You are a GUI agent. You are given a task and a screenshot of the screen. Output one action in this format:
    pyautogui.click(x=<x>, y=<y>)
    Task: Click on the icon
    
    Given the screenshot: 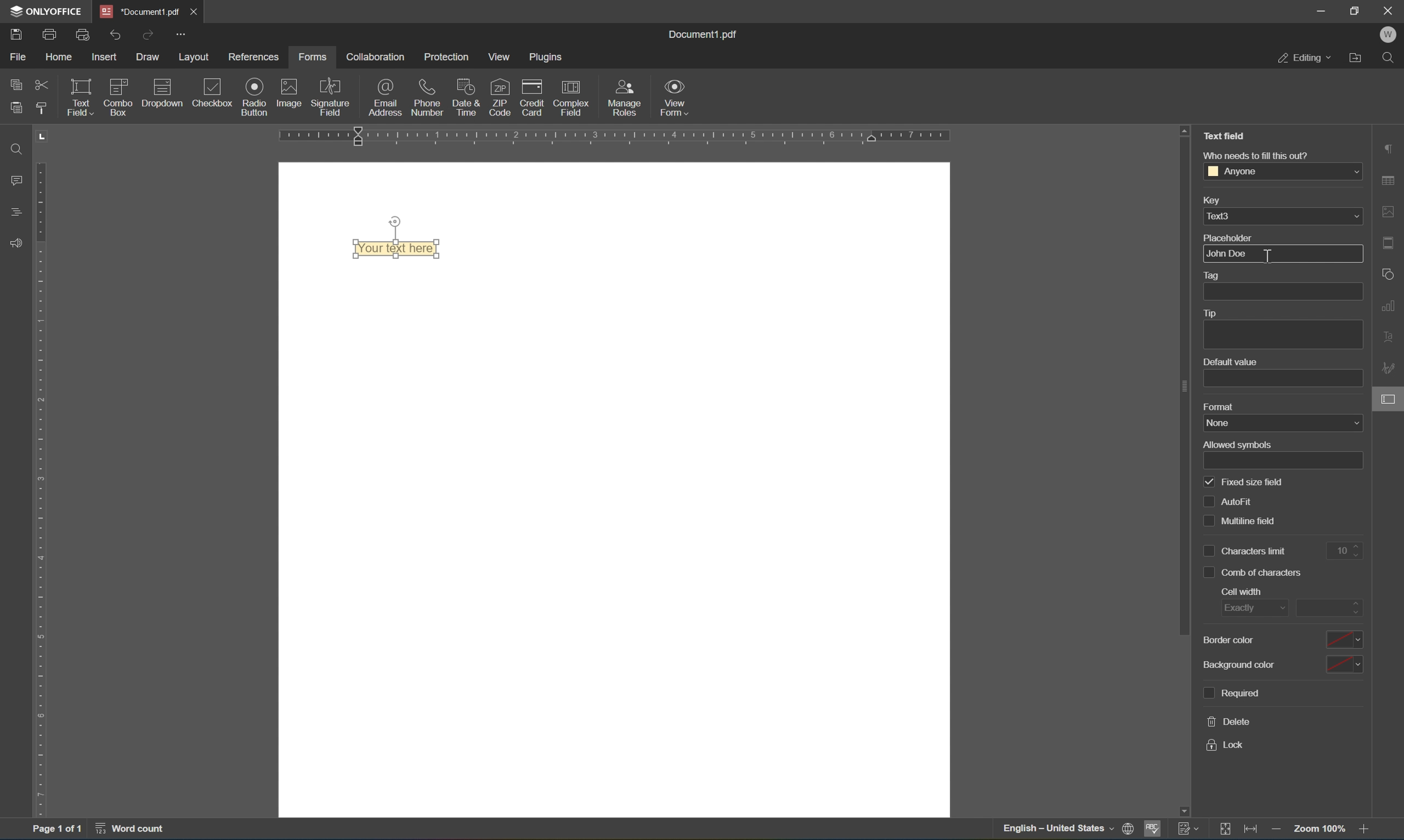 What is the action you would take?
    pyautogui.click(x=167, y=87)
    